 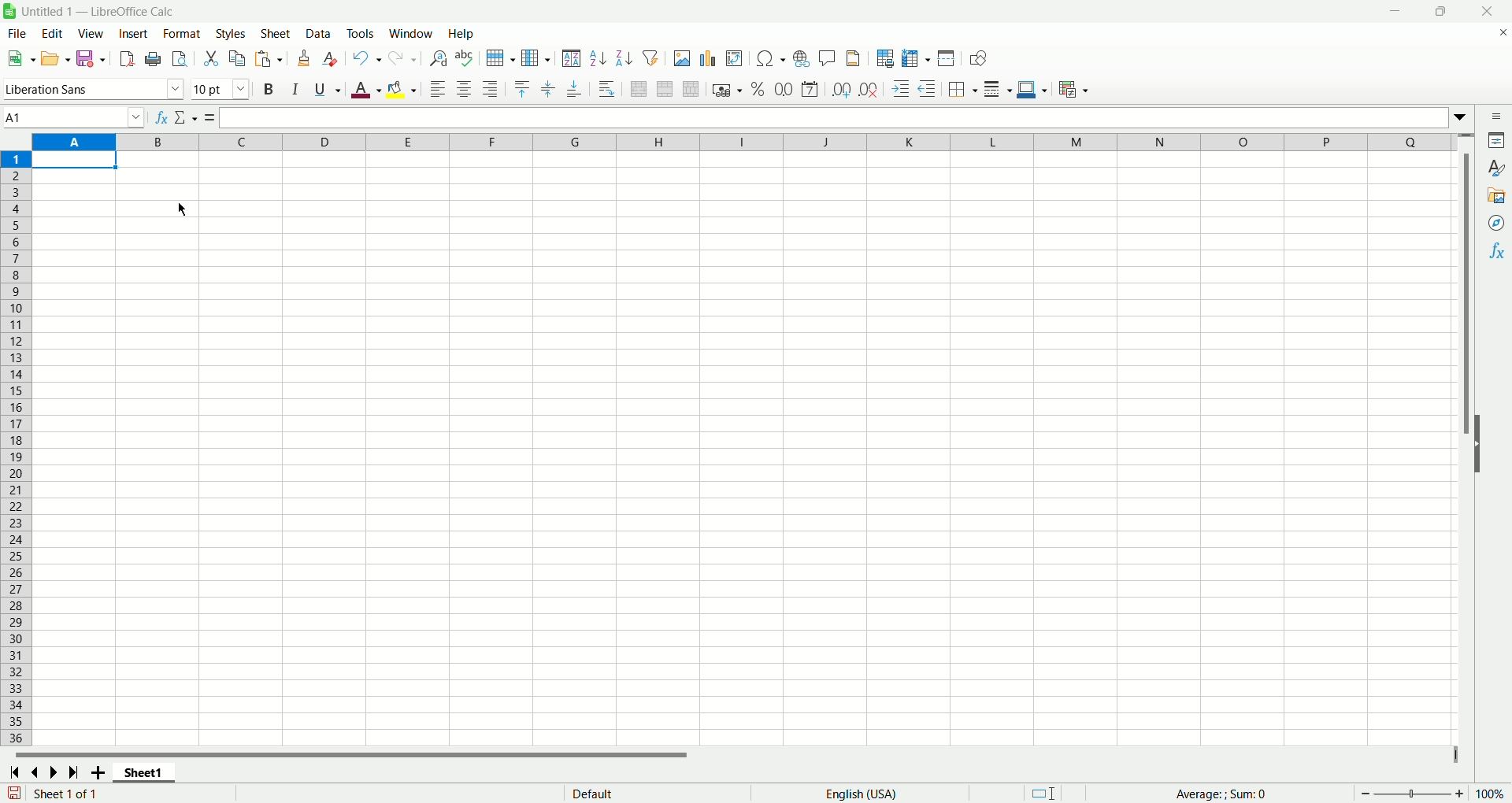 I want to click on gallery, so click(x=1496, y=196).